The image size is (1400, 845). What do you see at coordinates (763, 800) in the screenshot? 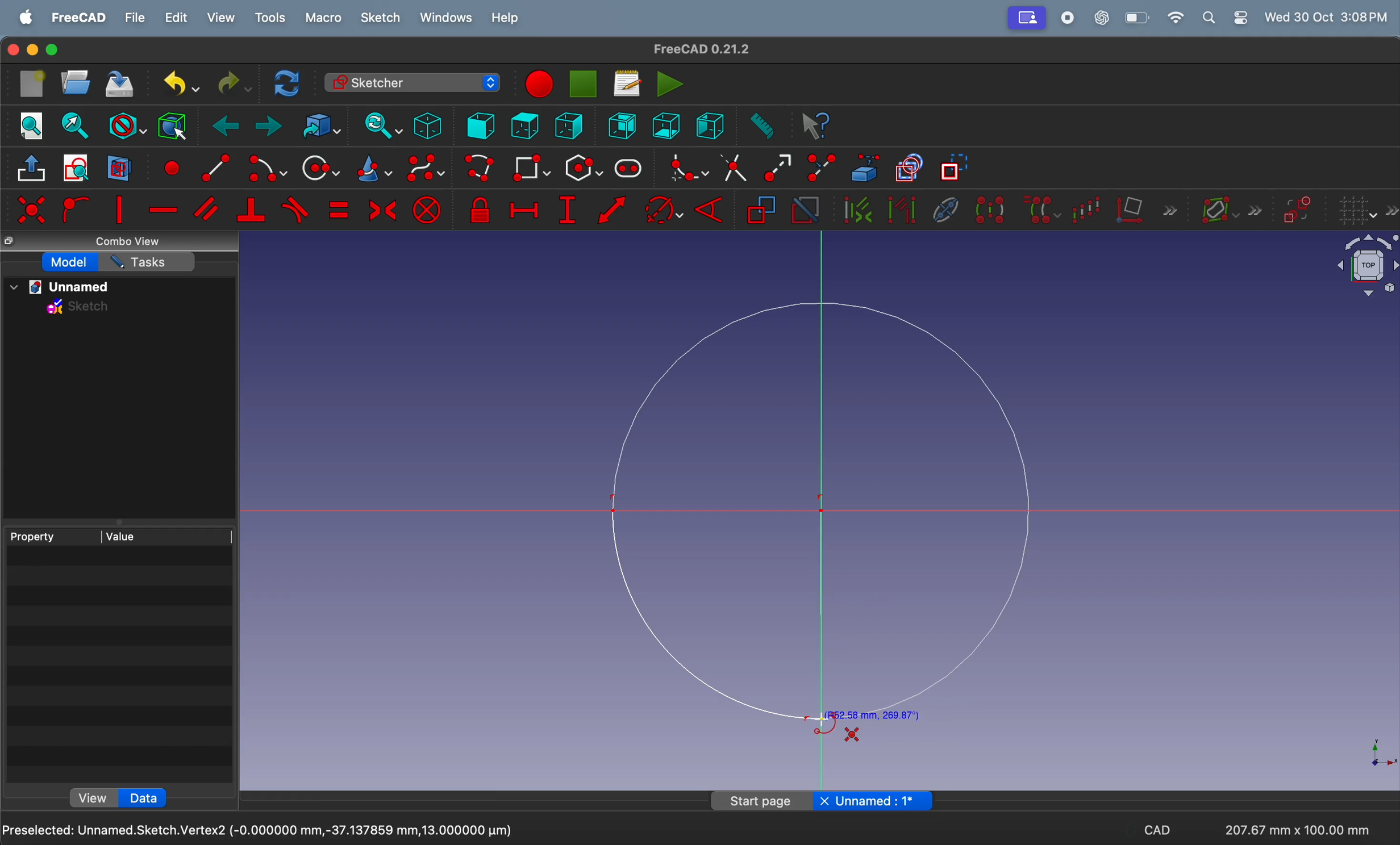
I see `Start page` at bounding box center [763, 800].